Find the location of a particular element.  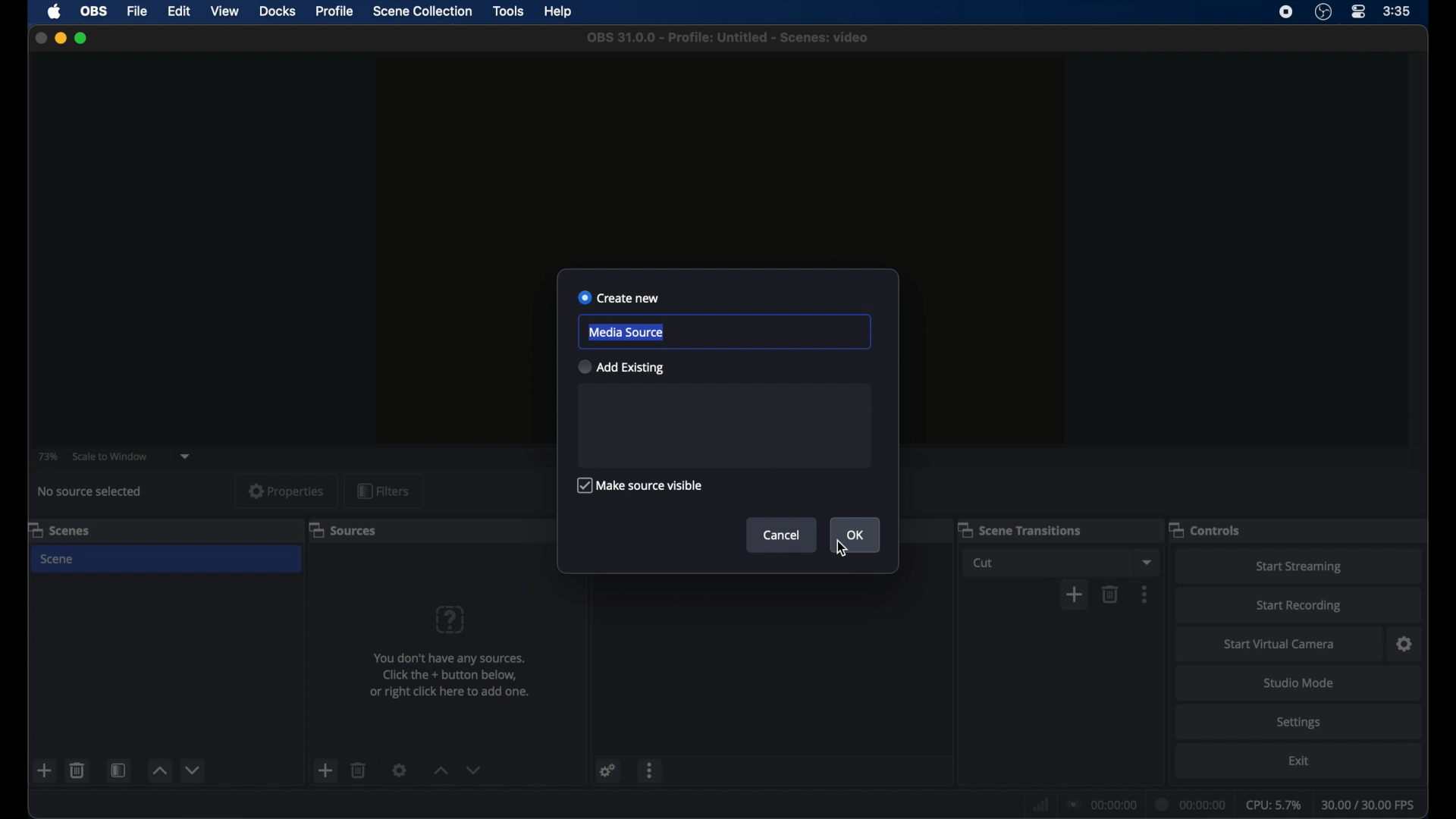

decrement is located at coordinates (474, 770).